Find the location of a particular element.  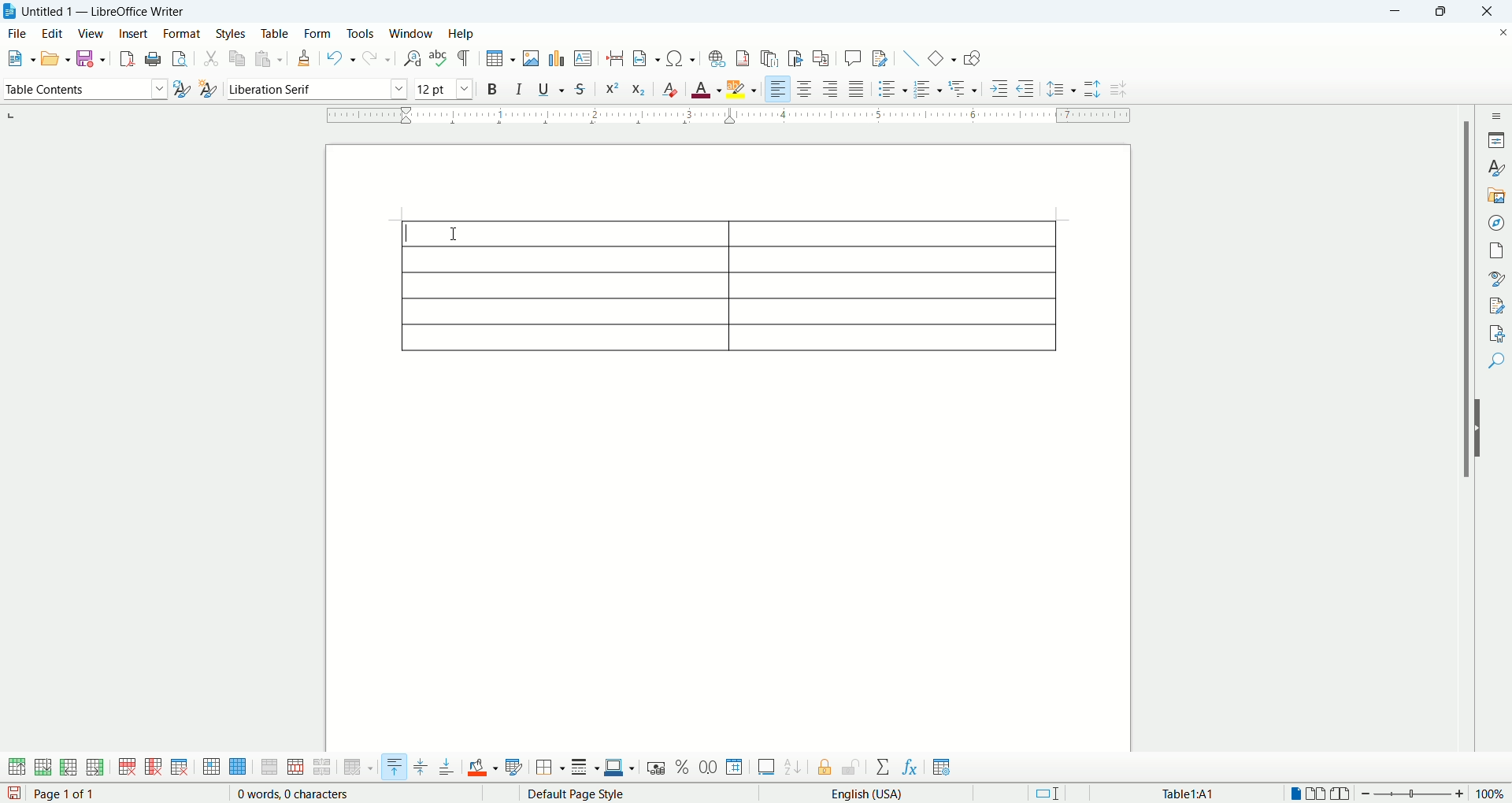

insert page break is located at coordinates (619, 57).